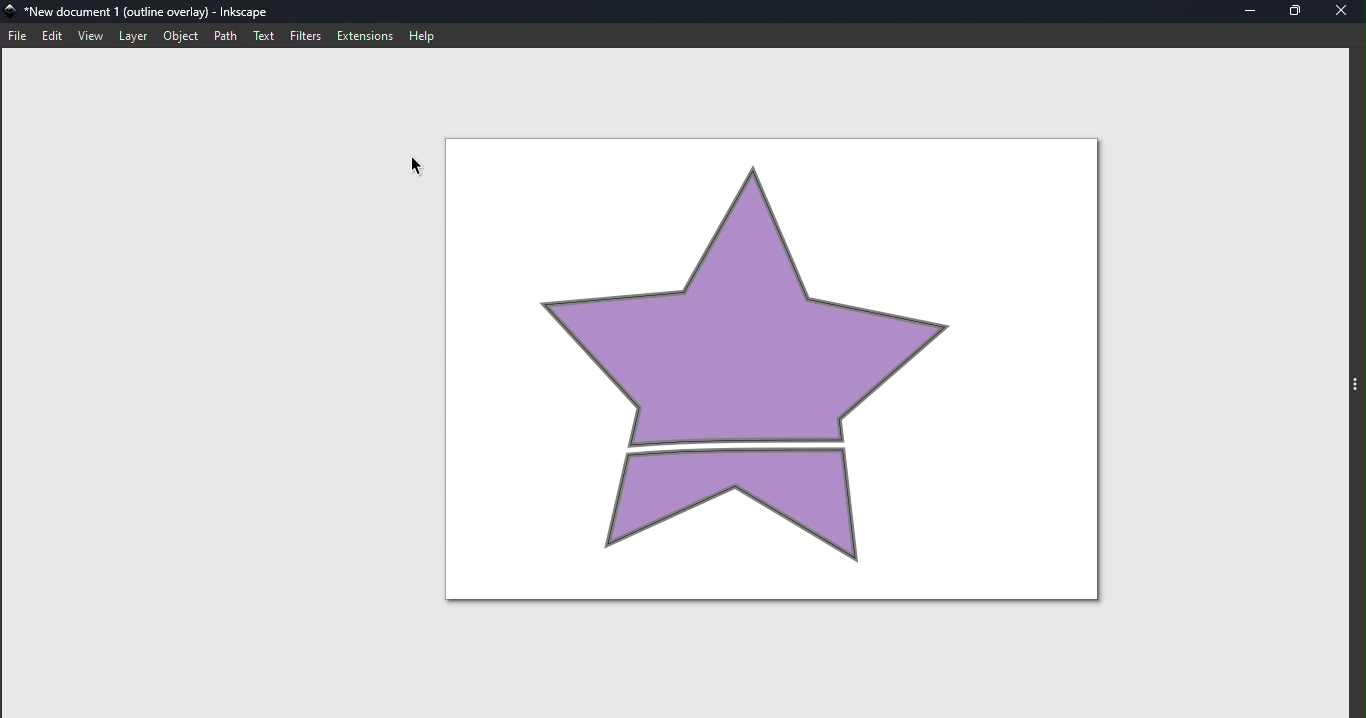  I want to click on Close, so click(1343, 11).